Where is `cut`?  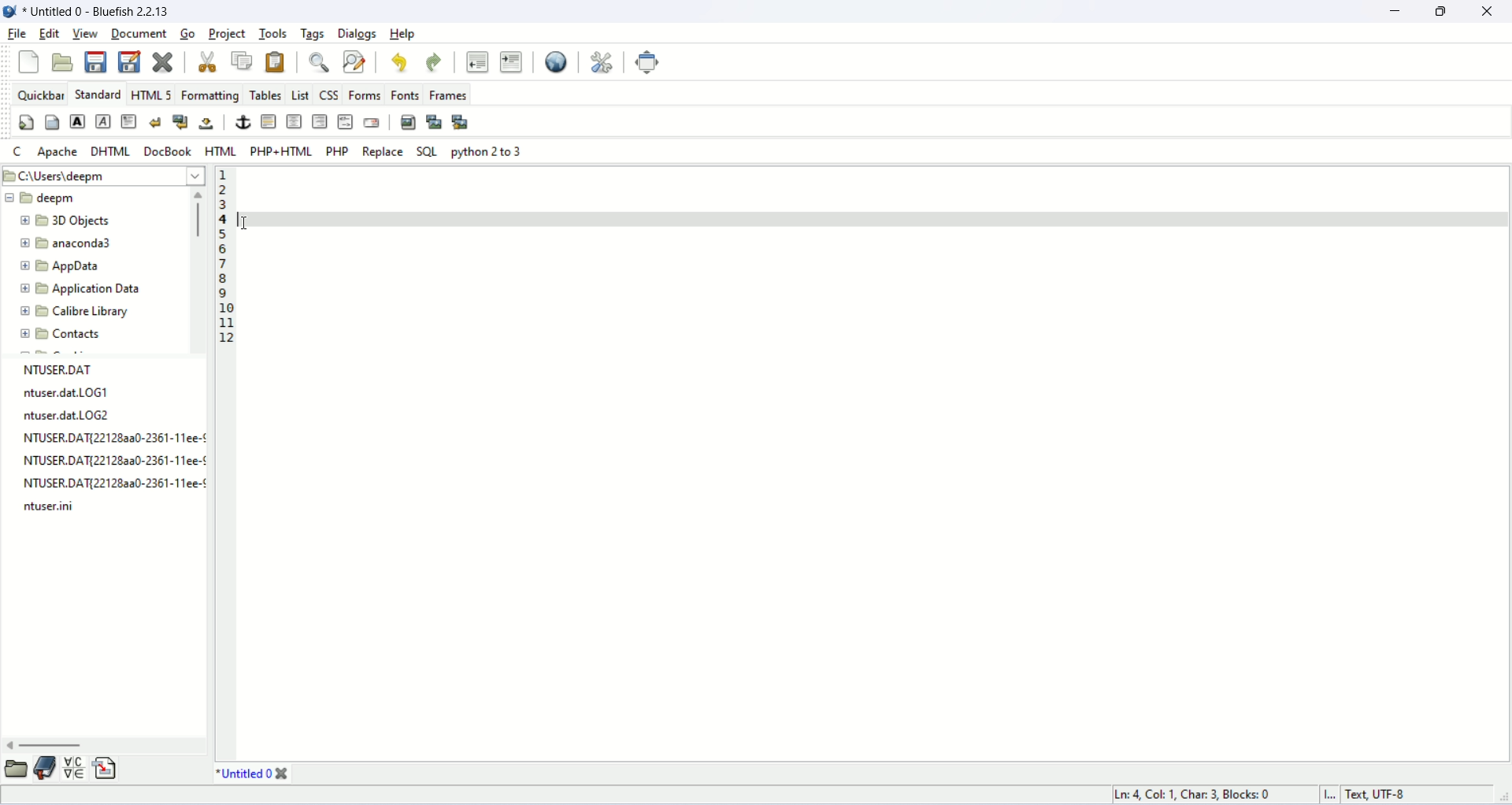 cut is located at coordinates (206, 63).